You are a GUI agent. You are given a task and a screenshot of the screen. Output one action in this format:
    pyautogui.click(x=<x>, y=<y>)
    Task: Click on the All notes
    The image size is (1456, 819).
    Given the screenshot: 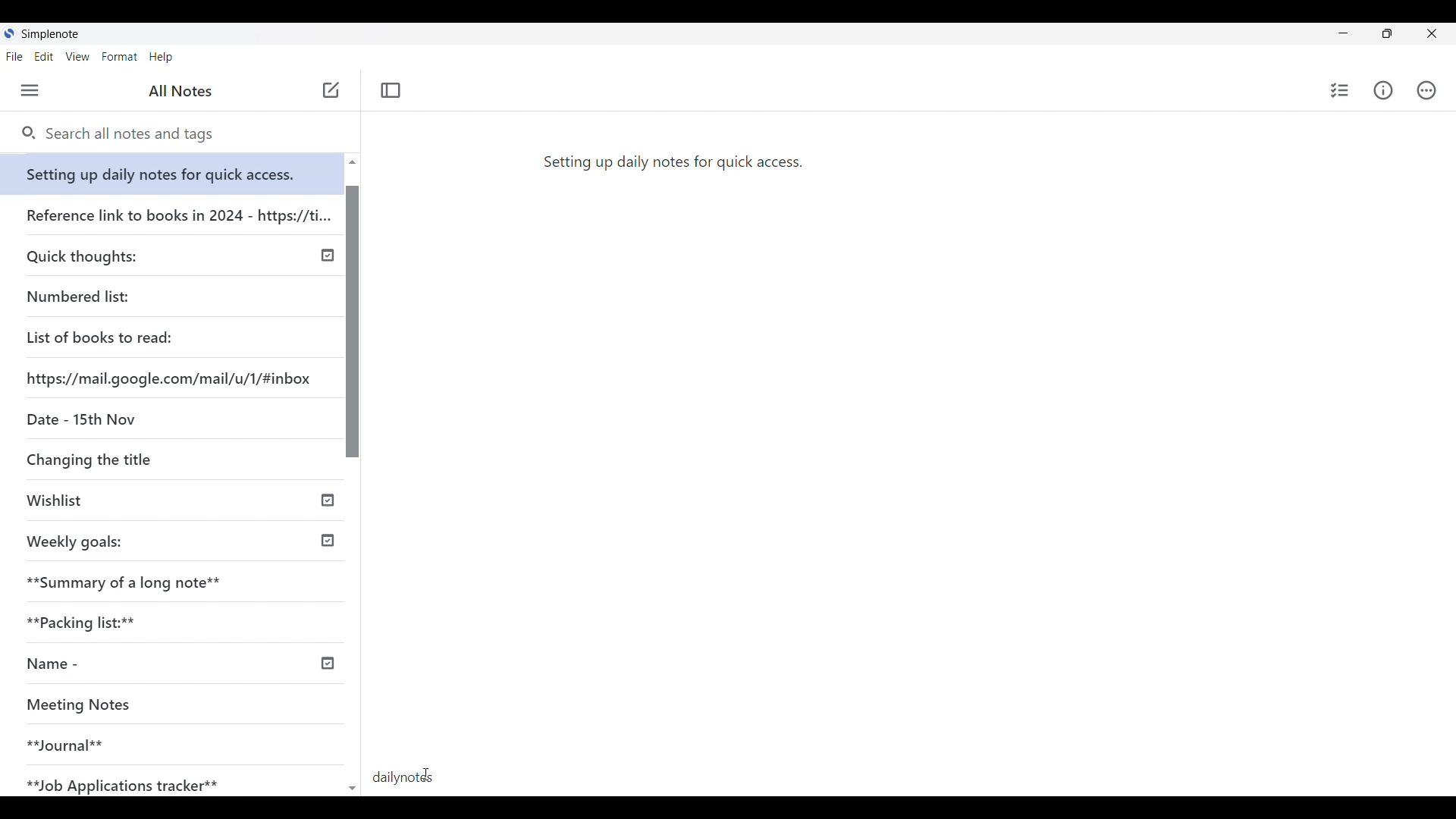 What is the action you would take?
    pyautogui.click(x=175, y=89)
    